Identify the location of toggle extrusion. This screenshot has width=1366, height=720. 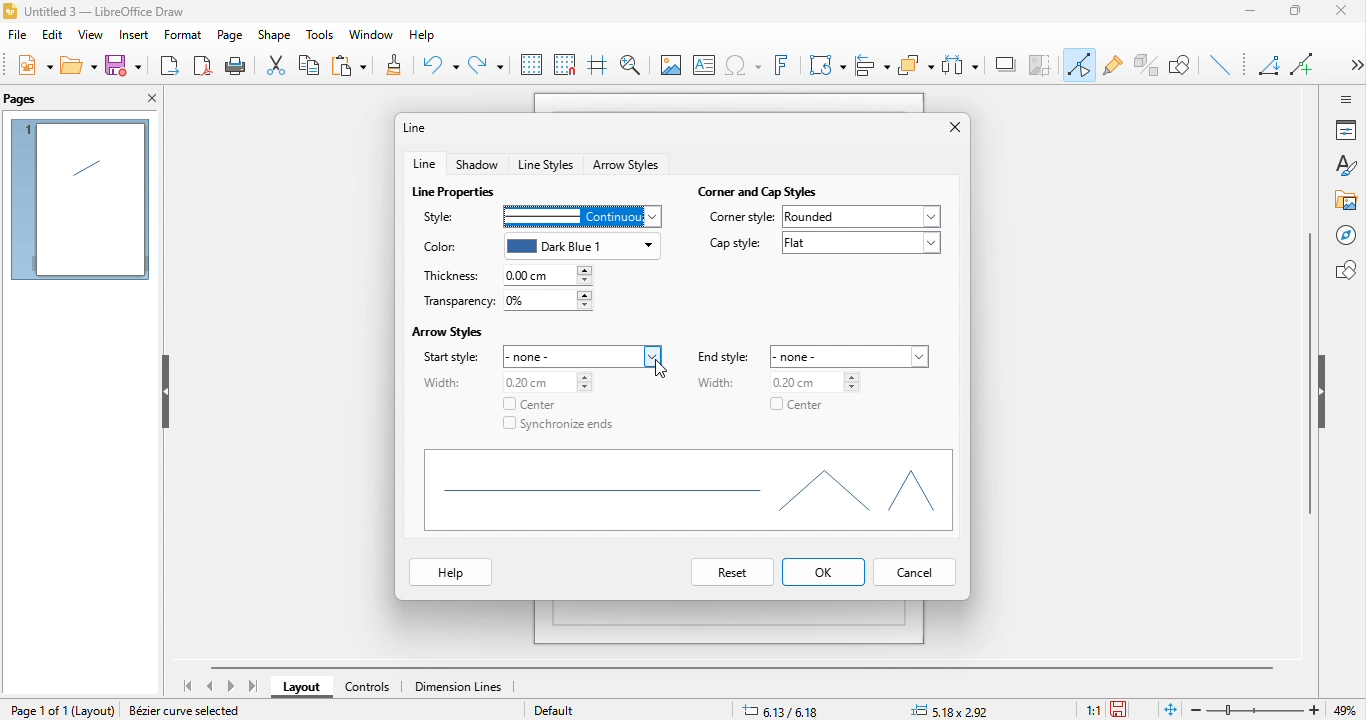
(1147, 64).